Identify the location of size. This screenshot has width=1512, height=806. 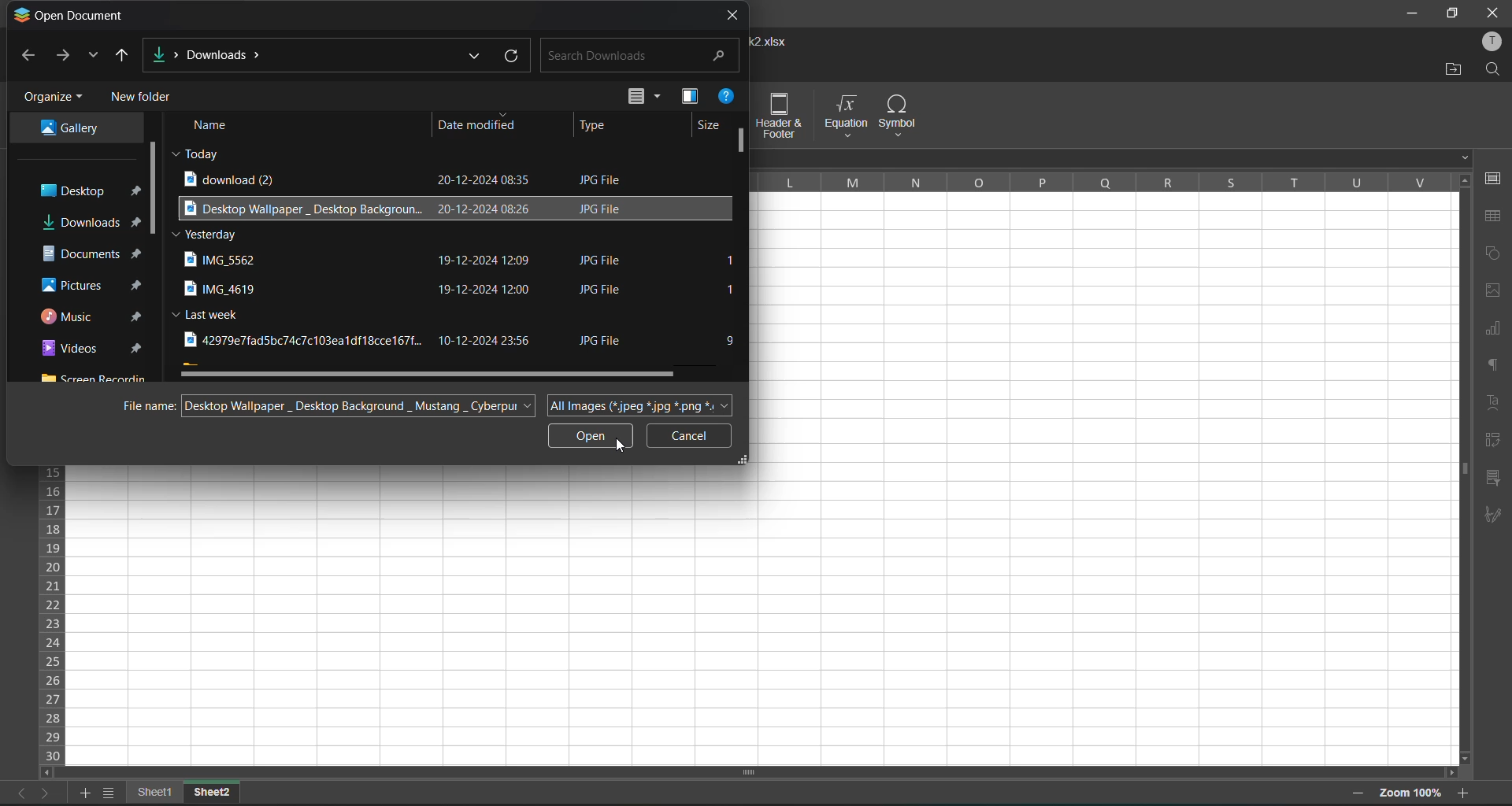
(710, 126).